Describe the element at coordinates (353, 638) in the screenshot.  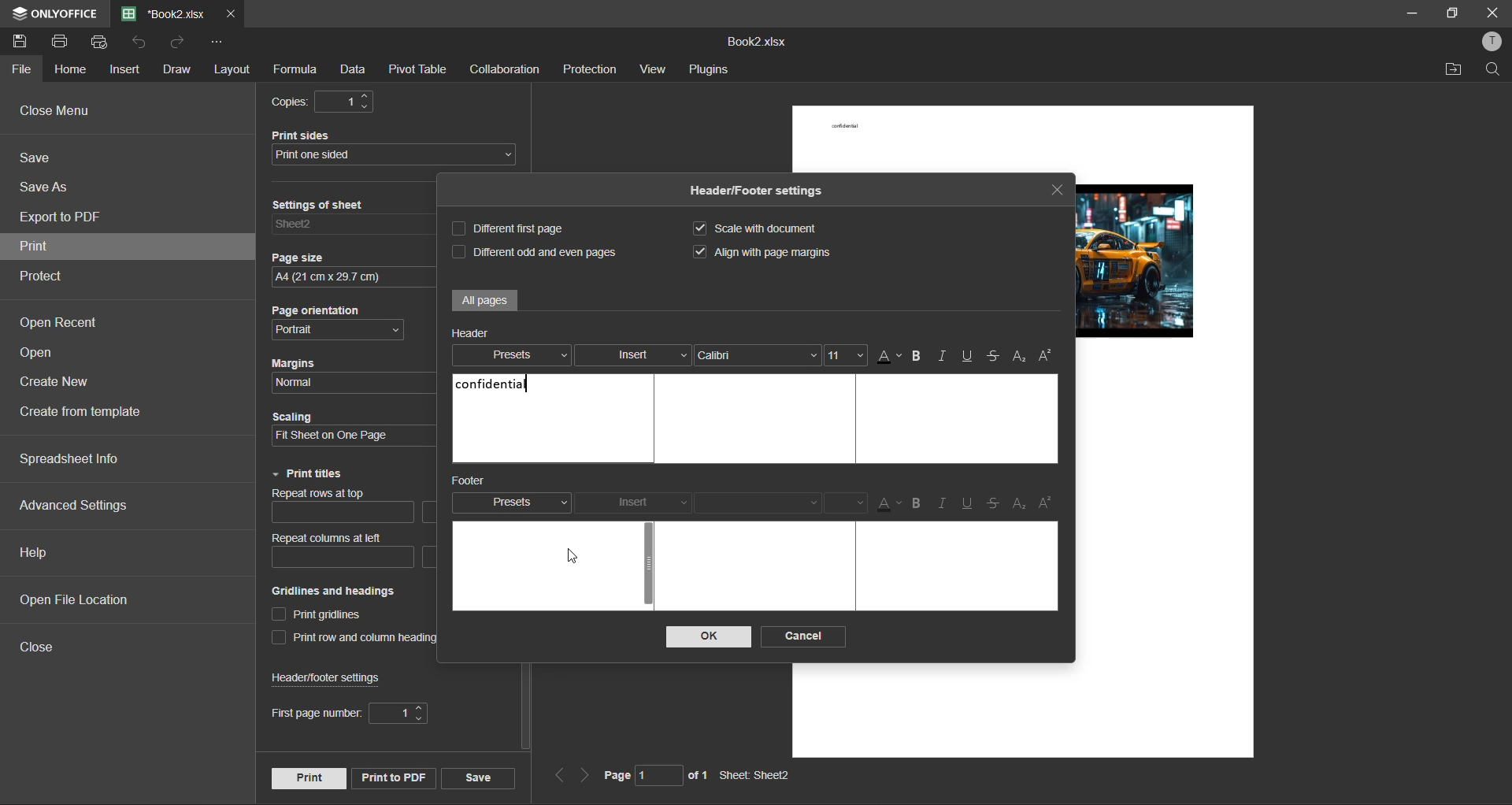
I see `print row and  column heading` at that location.